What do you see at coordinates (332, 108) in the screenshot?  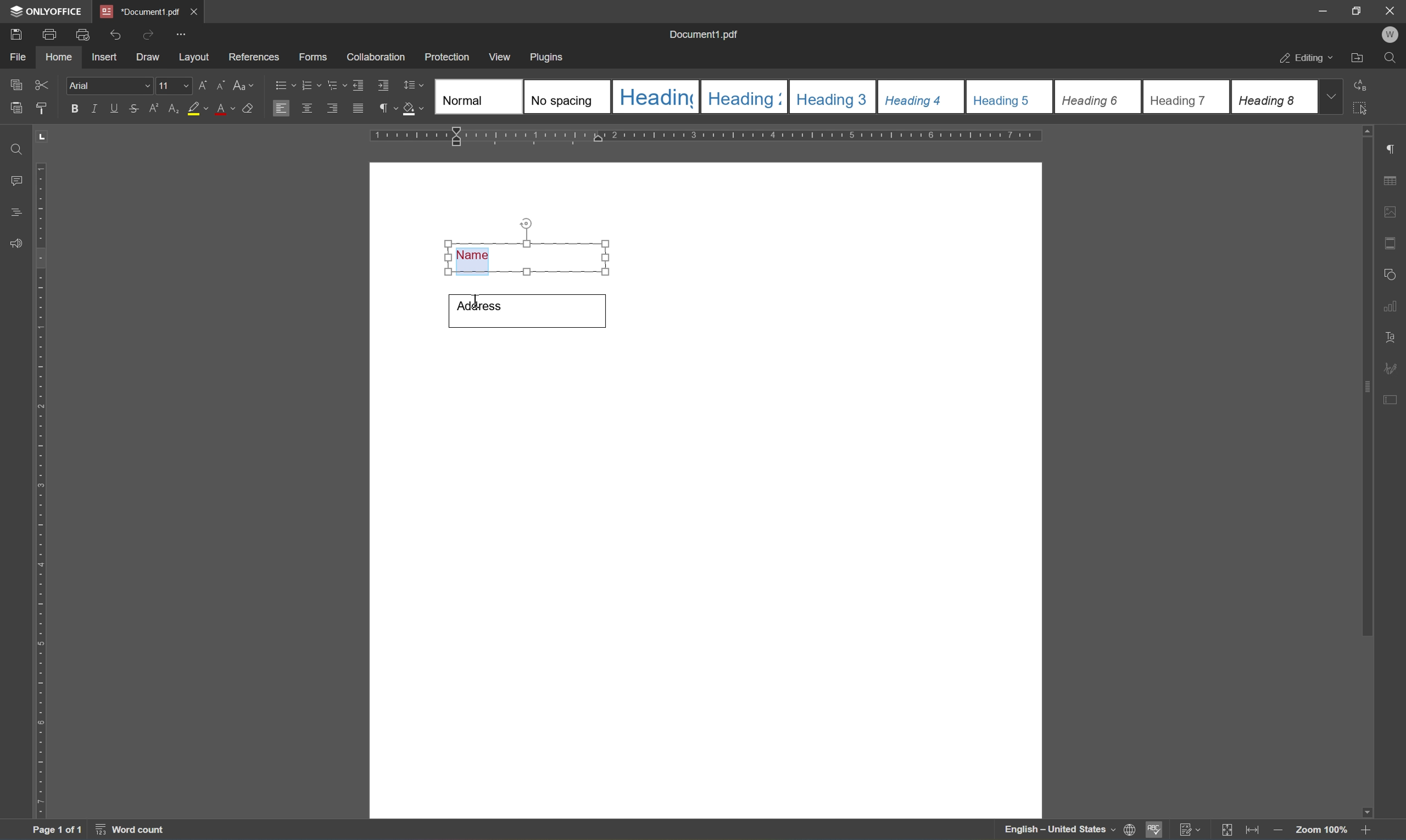 I see `align right` at bounding box center [332, 108].